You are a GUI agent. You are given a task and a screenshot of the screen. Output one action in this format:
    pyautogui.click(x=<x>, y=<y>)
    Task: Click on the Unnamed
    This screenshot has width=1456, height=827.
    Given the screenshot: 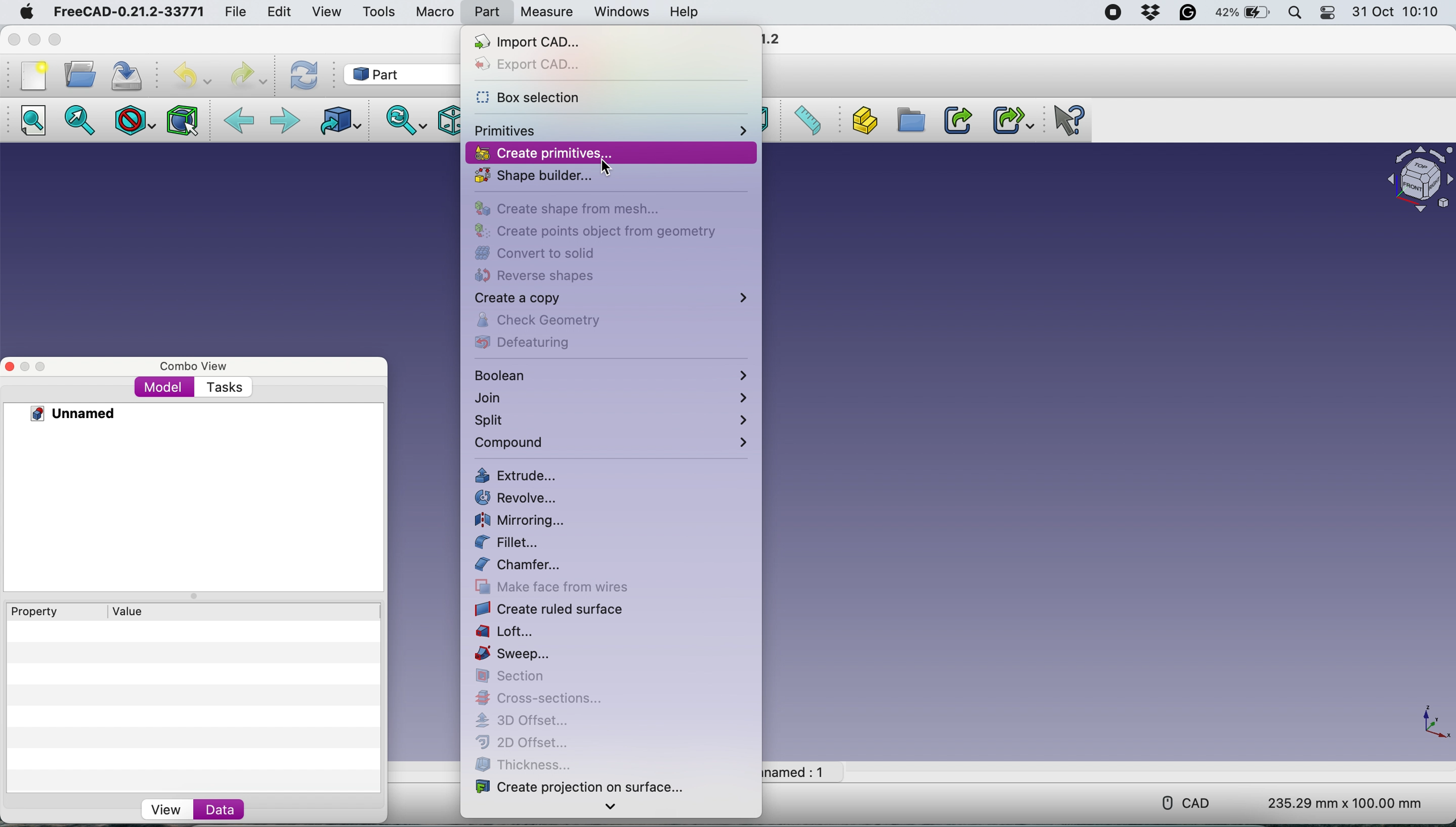 What is the action you would take?
    pyautogui.click(x=63, y=413)
    